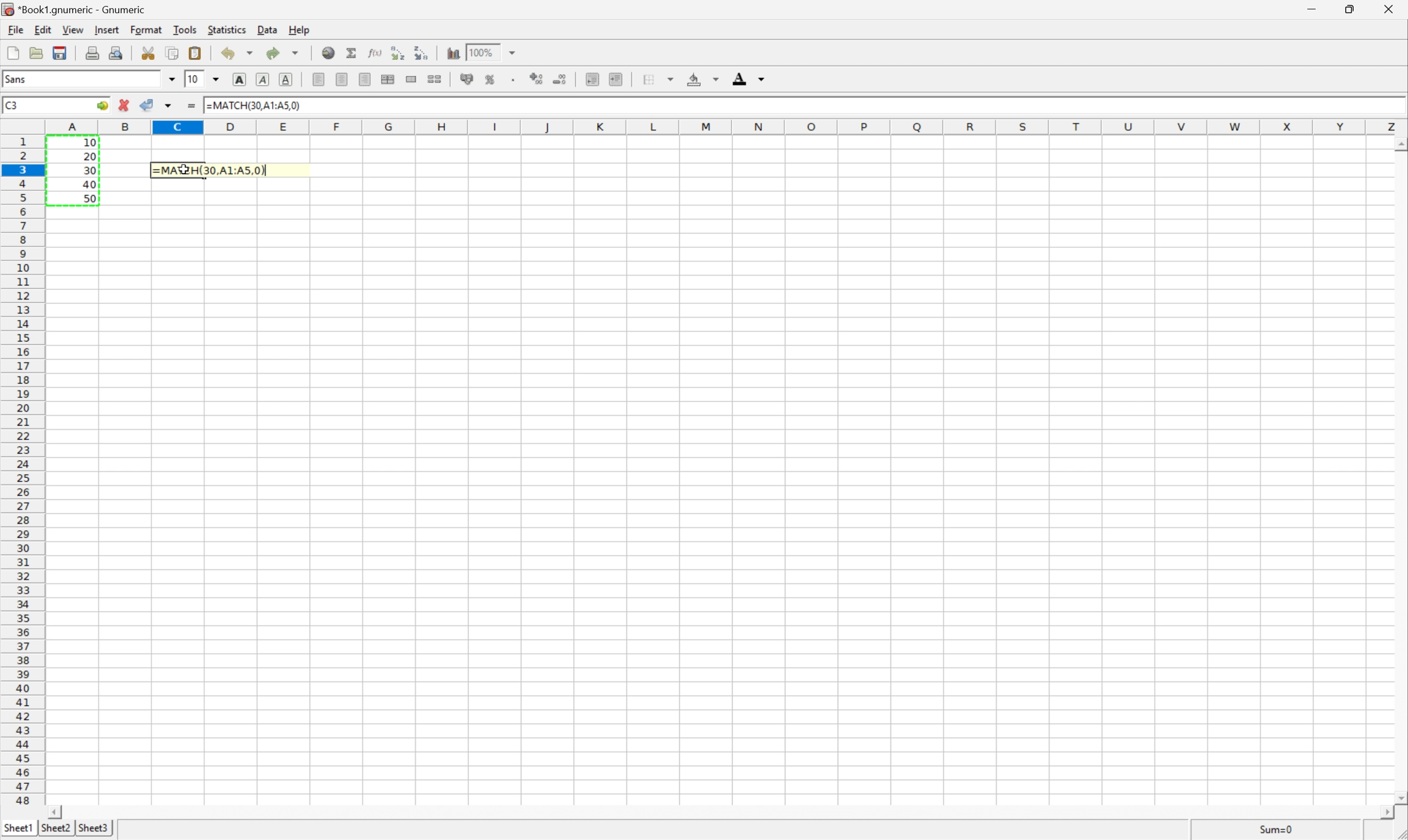 The image size is (1408, 840). I want to click on Scroll left, so click(58, 812).